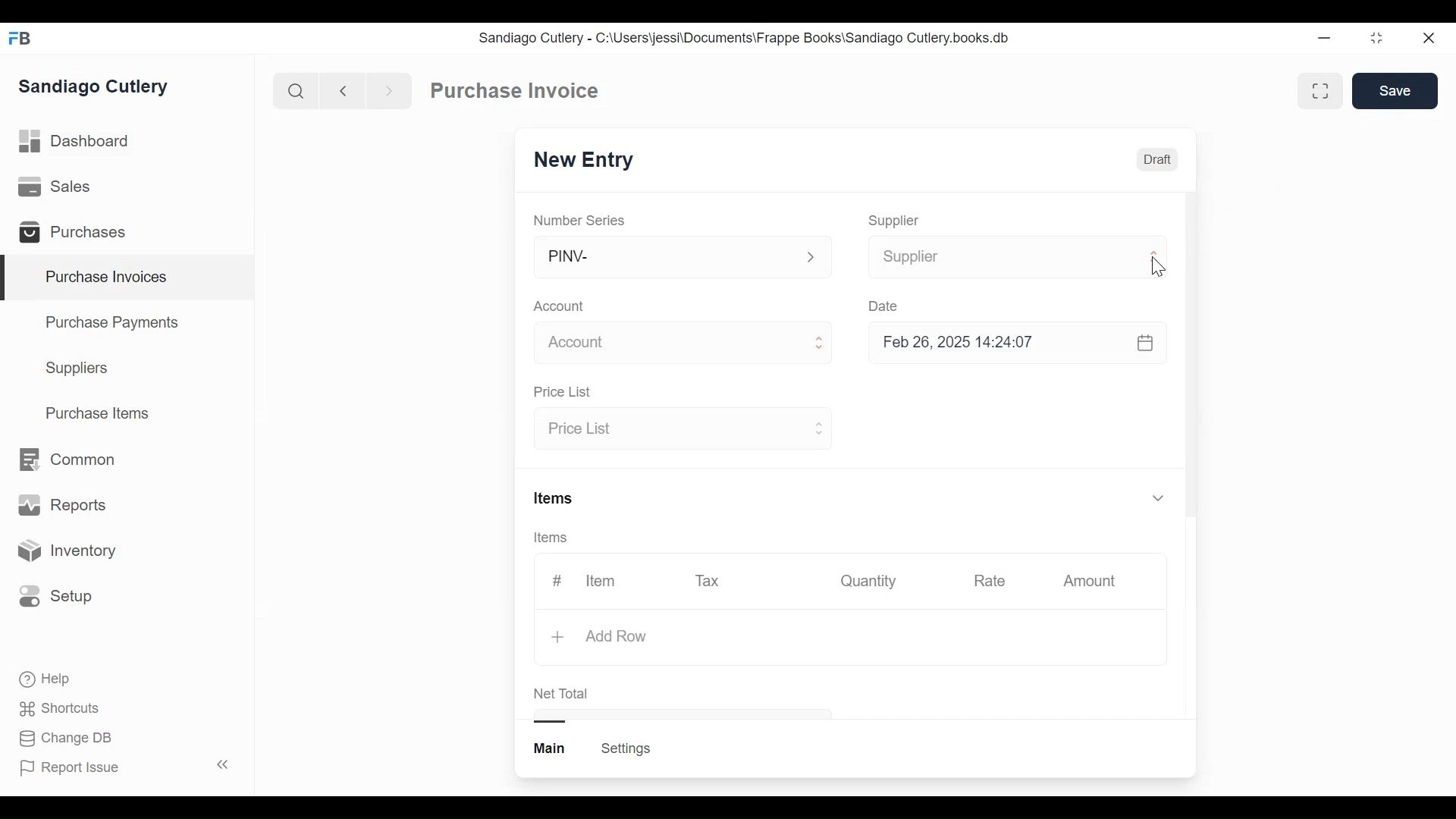 Image resolution: width=1456 pixels, height=819 pixels. I want to click on Number Series, so click(581, 220).